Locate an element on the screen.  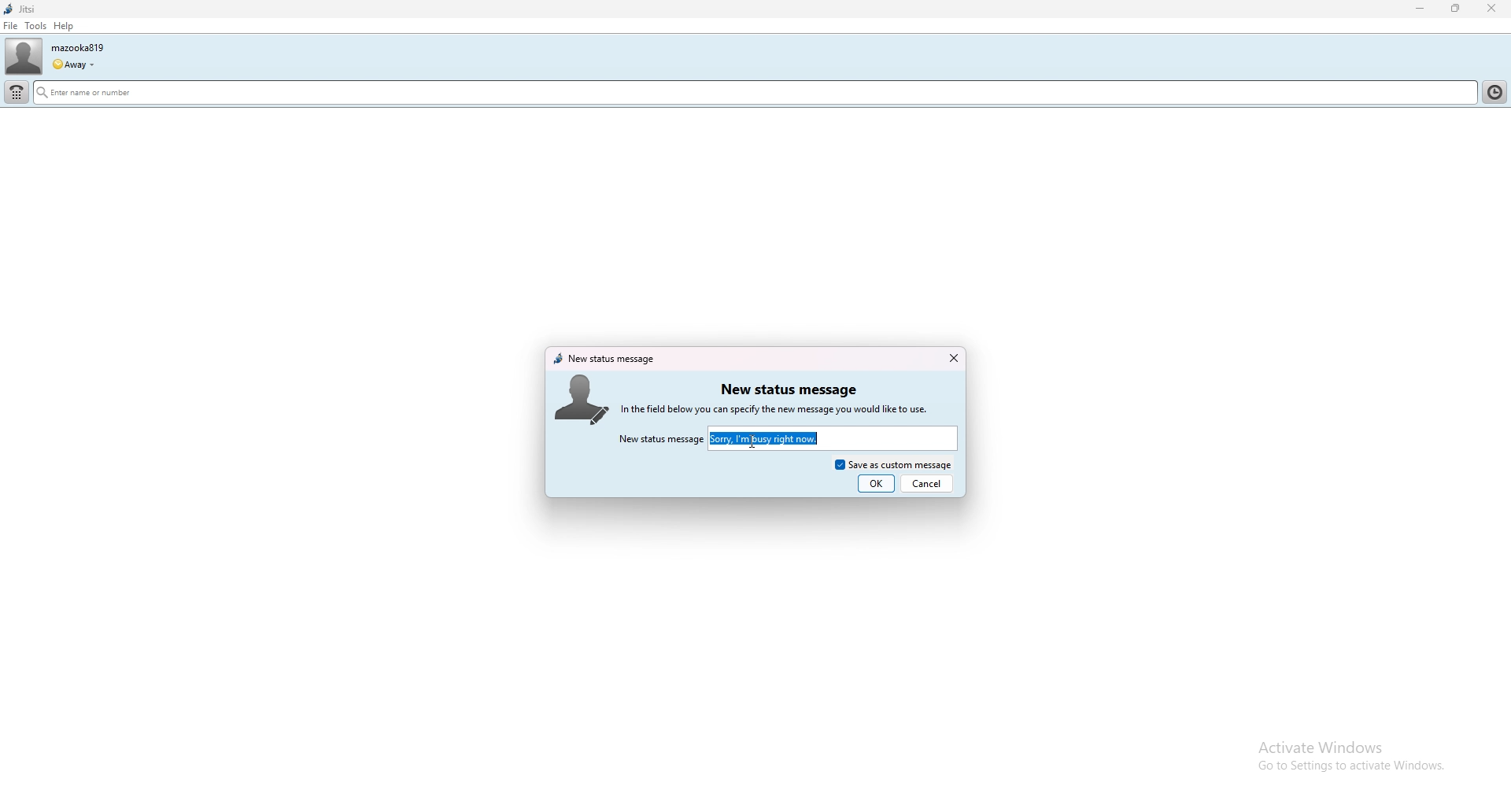
jitsi is located at coordinates (20, 9).